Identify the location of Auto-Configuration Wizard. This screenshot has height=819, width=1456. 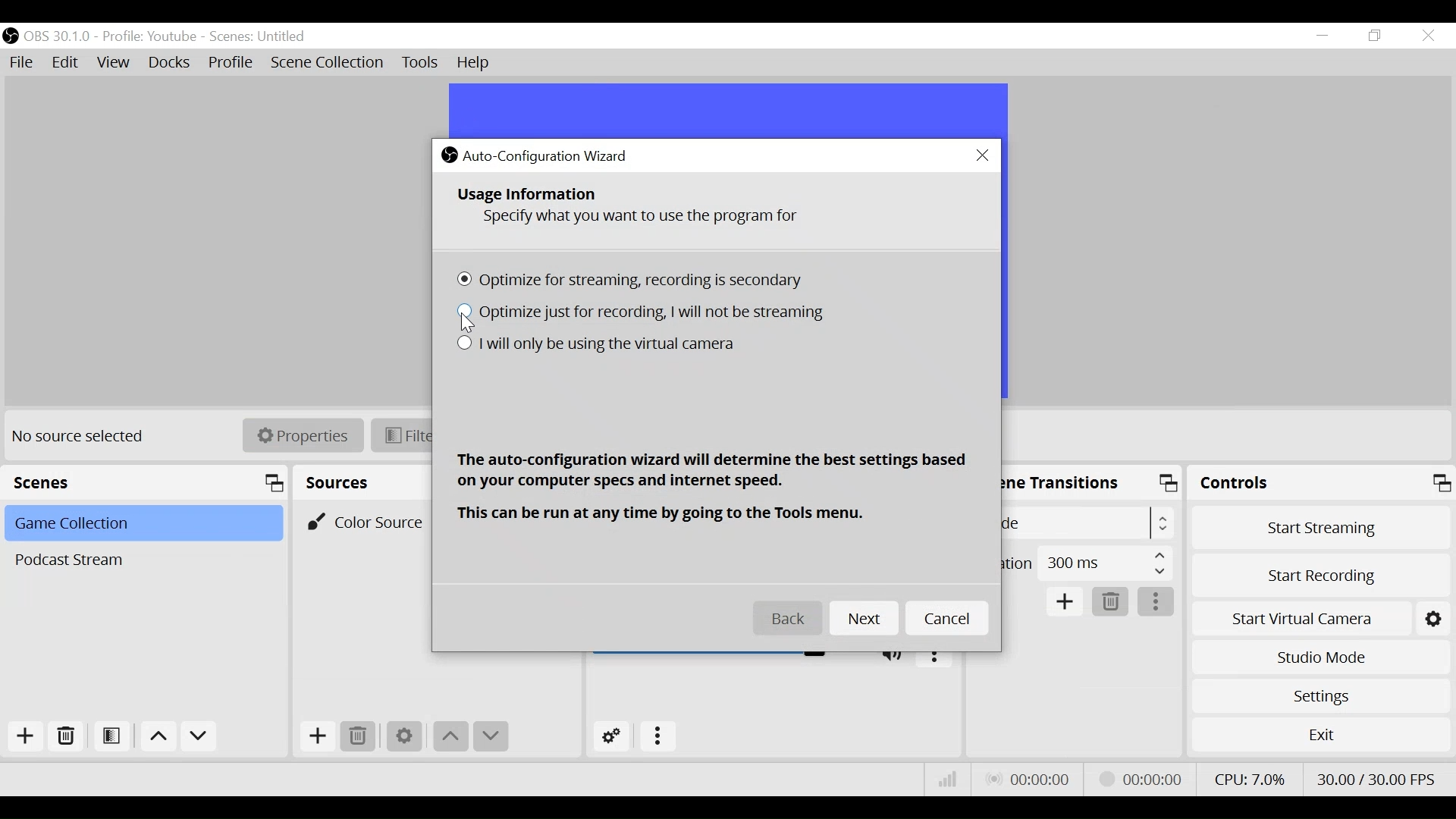
(549, 155).